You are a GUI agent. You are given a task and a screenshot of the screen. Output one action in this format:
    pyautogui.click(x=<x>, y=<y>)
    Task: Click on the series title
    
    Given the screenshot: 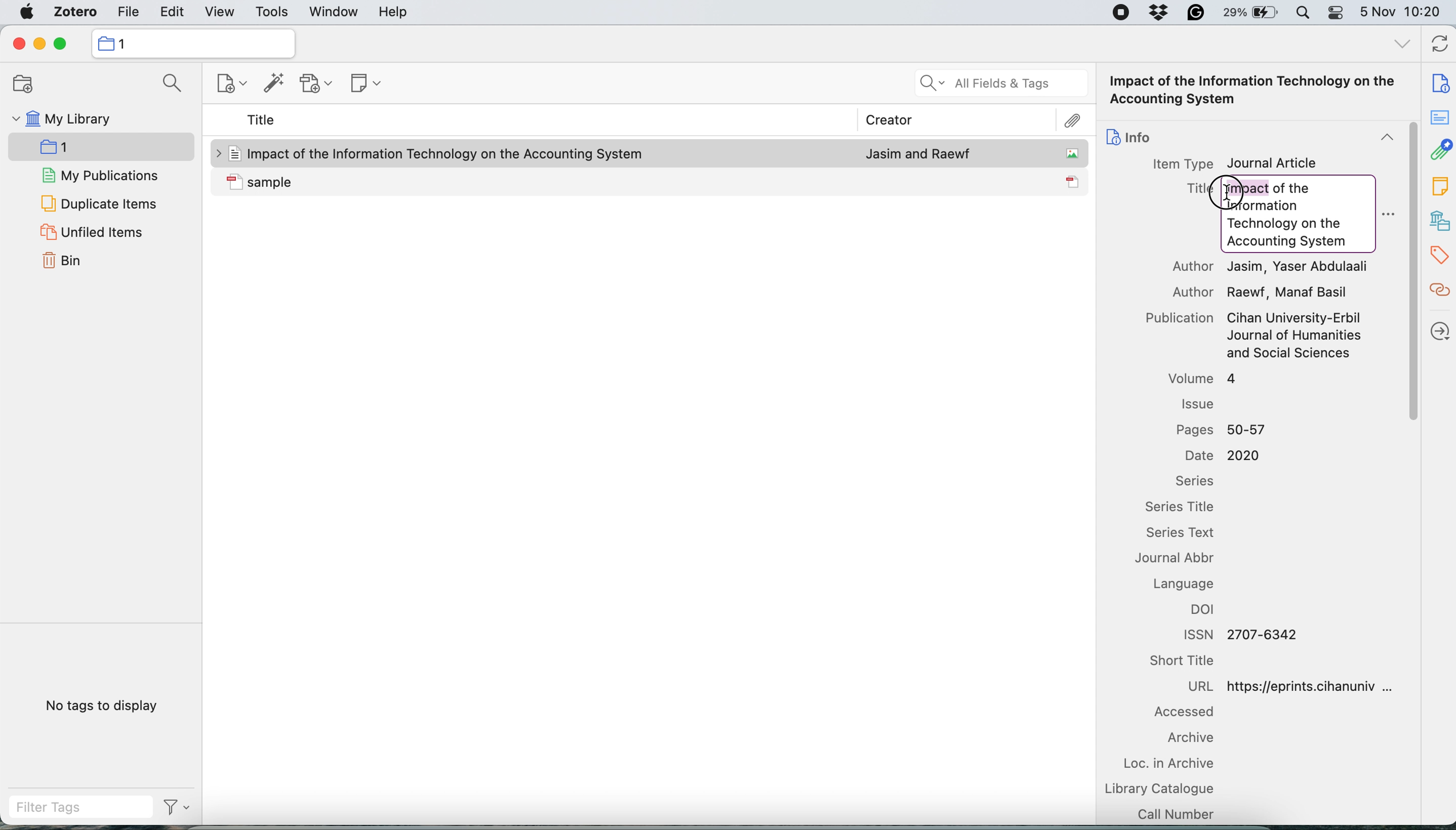 What is the action you would take?
    pyautogui.click(x=1183, y=508)
    